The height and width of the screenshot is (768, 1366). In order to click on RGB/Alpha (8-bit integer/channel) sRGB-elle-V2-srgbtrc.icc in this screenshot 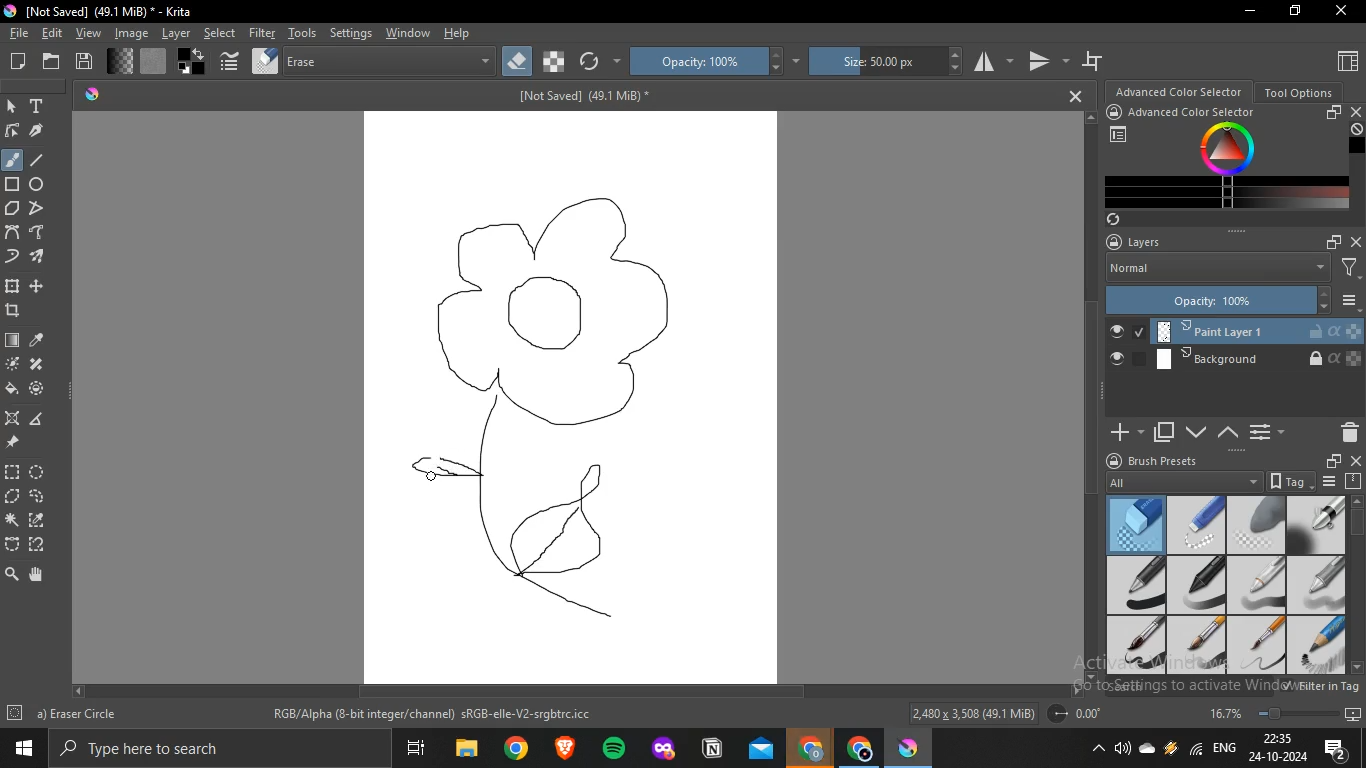, I will do `click(436, 716)`.